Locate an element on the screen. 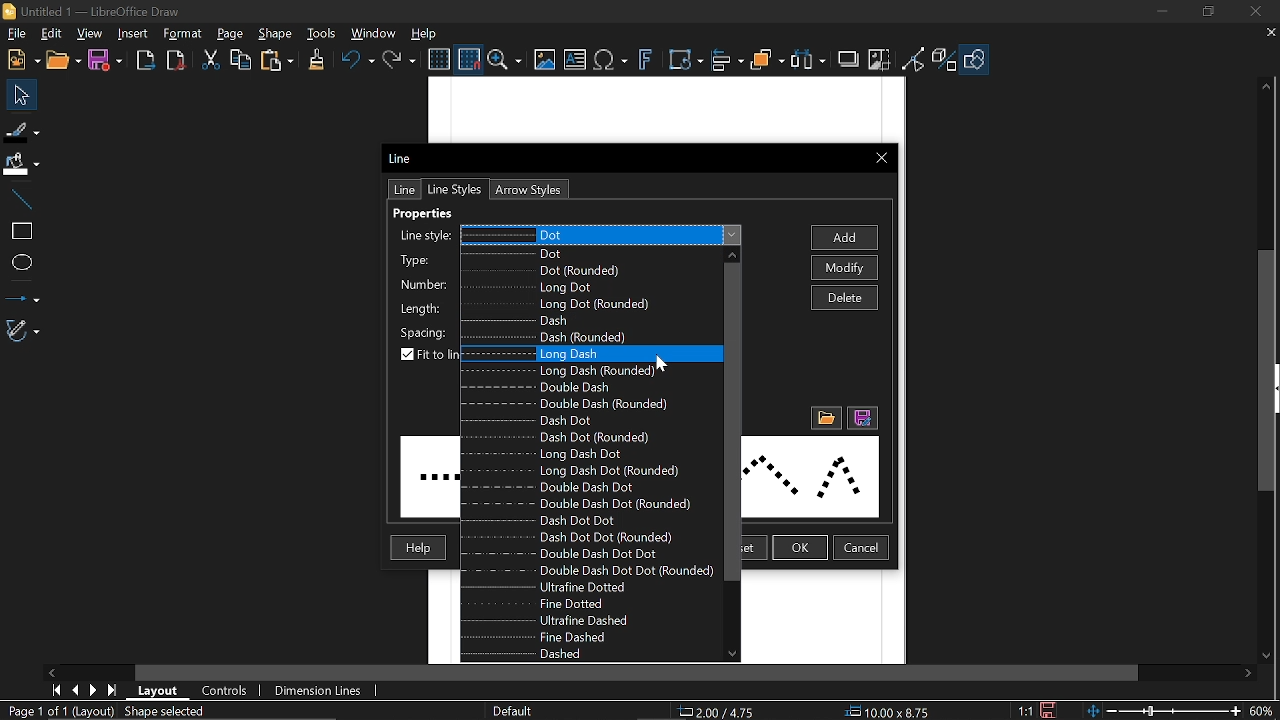 This screenshot has height=720, width=1280. Move right is located at coordinates (53, 672).